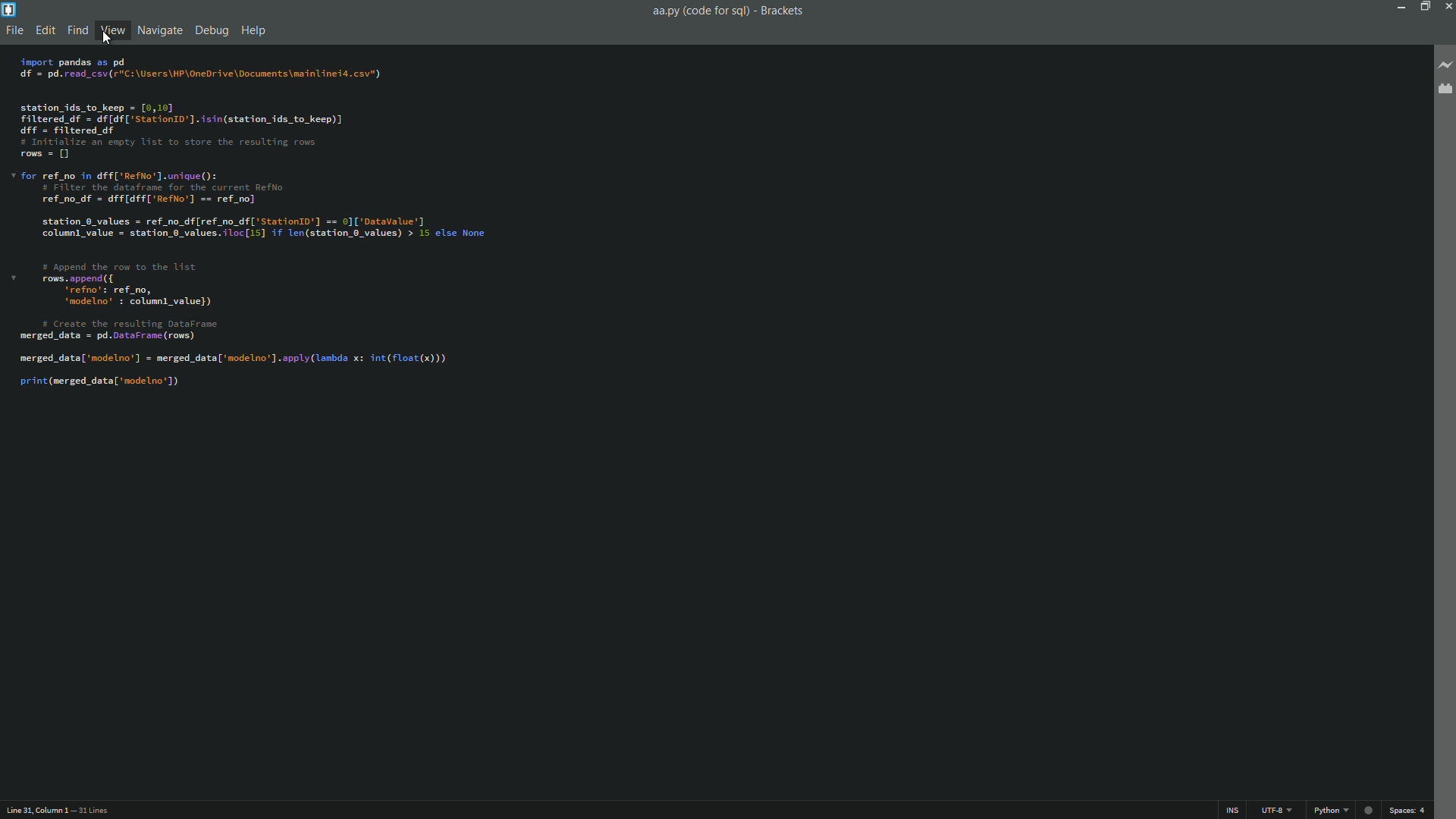 The width and height of the screenshot is (1456, 819). What do you see at coordinates (108, 39) in the screenshot?
I see `cursor on view` at bounding box center [108, 39].